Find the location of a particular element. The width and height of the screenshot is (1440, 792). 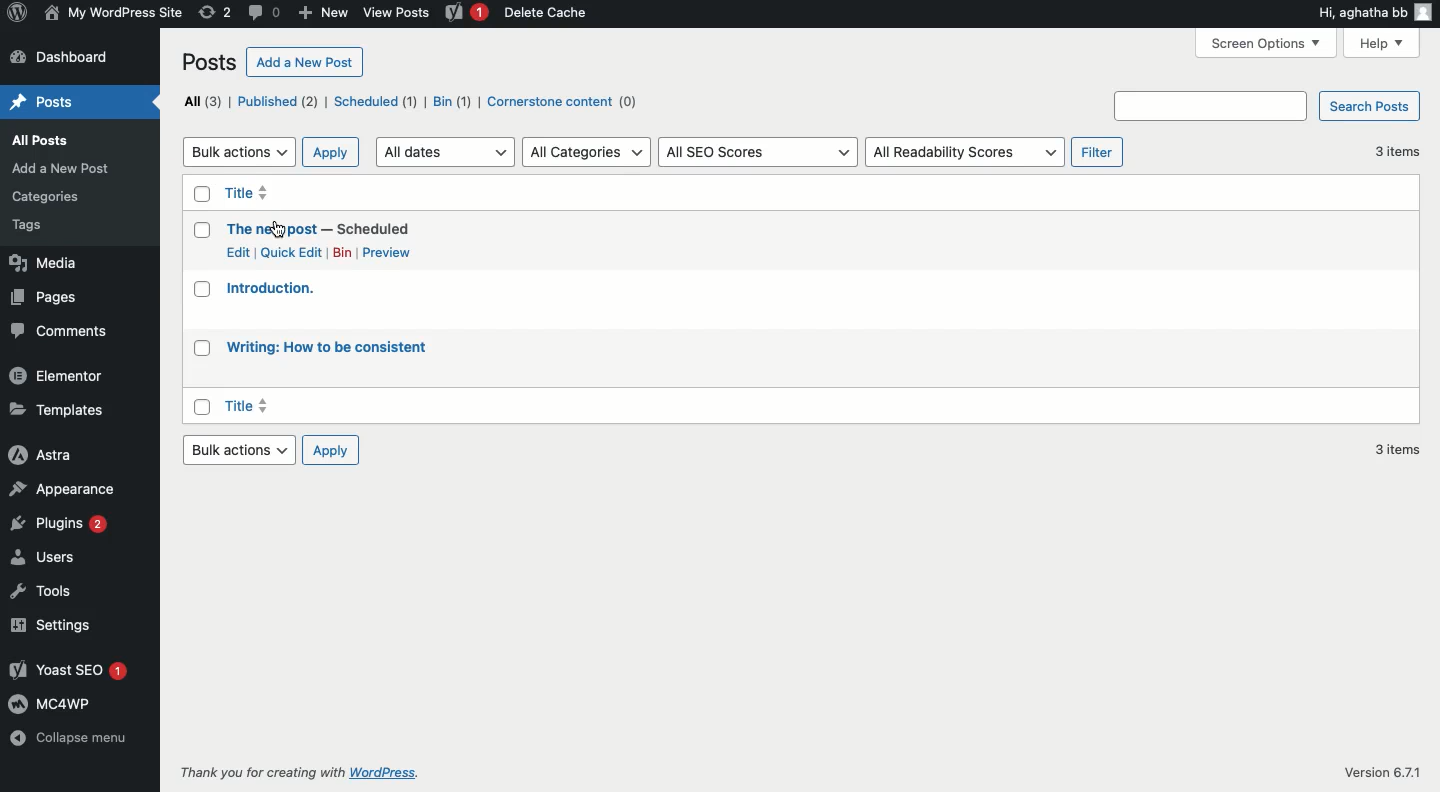

Yoast is located at coordinates (67, 670).